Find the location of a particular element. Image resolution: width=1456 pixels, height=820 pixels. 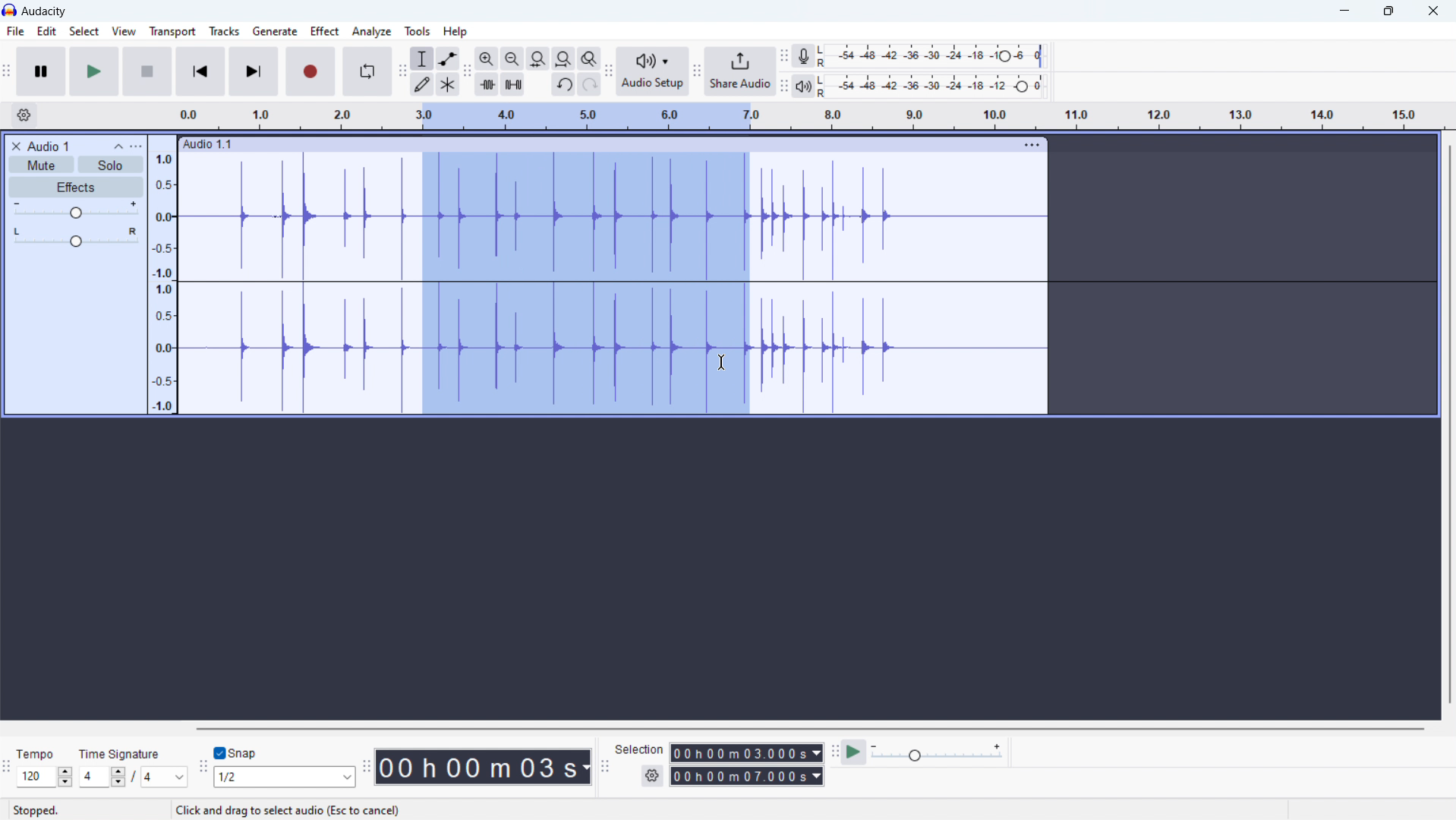

timeline is located at coordinates (811, 116).